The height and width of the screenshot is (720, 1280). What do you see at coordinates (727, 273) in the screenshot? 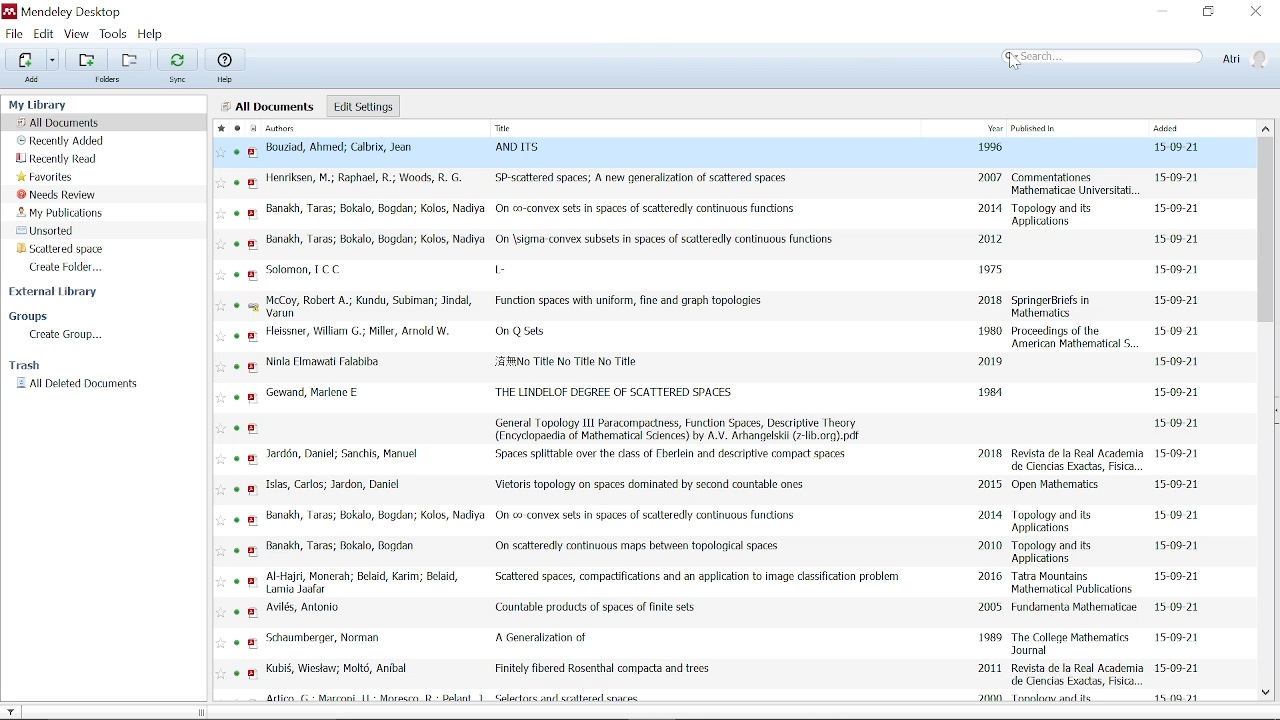
I see `Solomon, TCC l- 1975, 15-00-21` at bounding box center [727, 273].